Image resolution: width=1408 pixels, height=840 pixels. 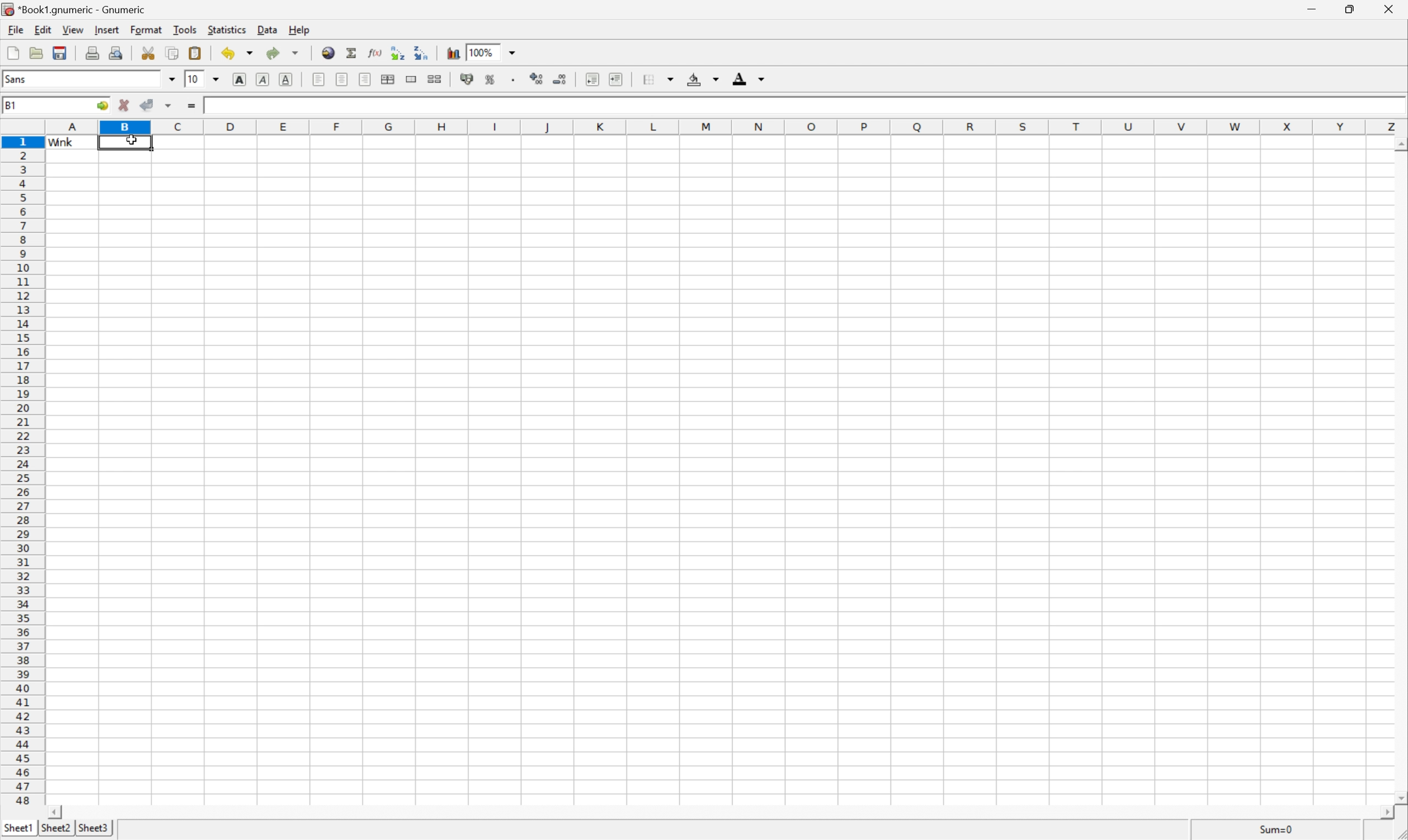 What do you see at coordinates (617, 78) in the screenshot?
I see `increase indent` at bounding box center [617, 78].